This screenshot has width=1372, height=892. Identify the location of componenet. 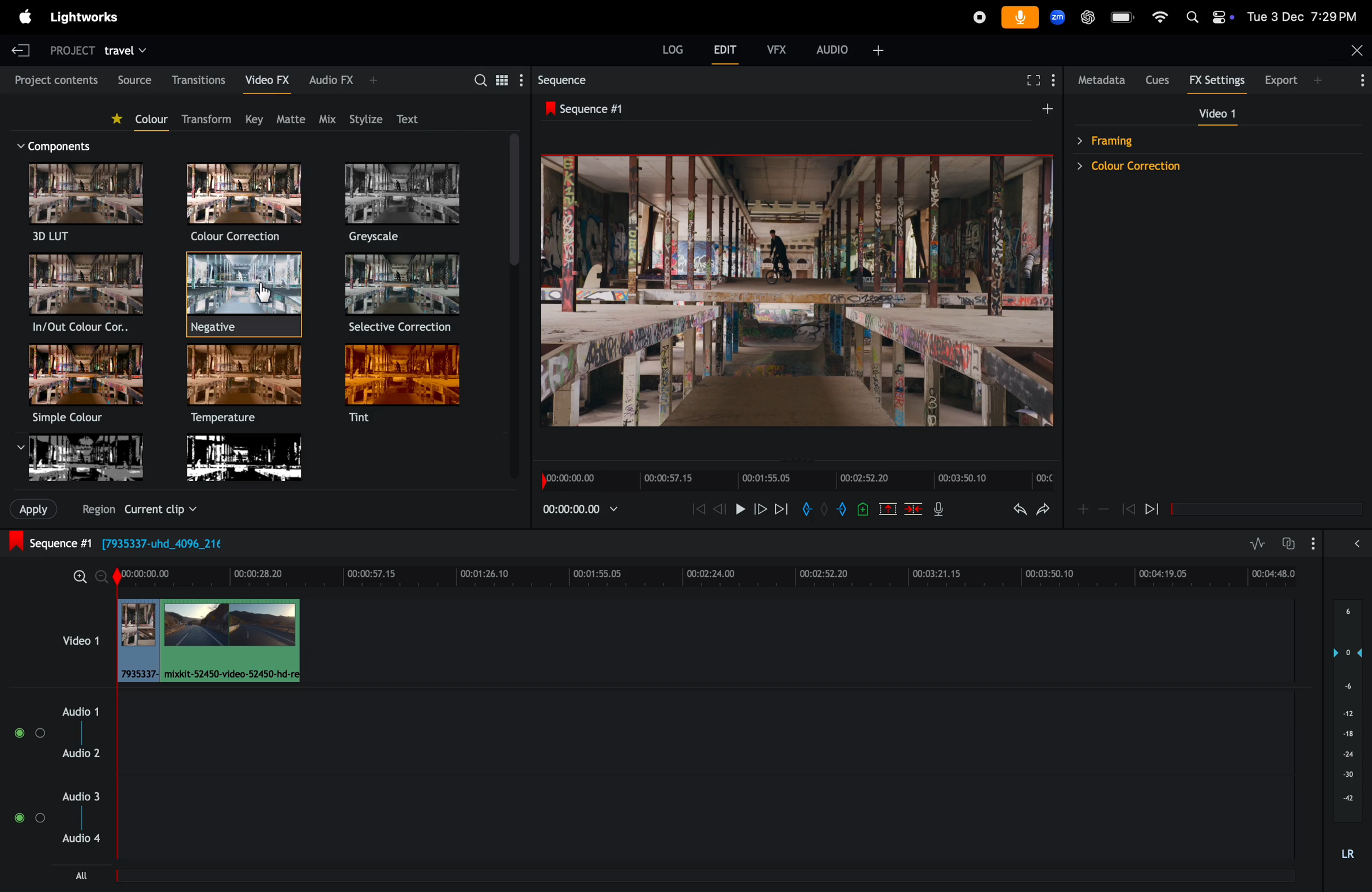
(61, 145).